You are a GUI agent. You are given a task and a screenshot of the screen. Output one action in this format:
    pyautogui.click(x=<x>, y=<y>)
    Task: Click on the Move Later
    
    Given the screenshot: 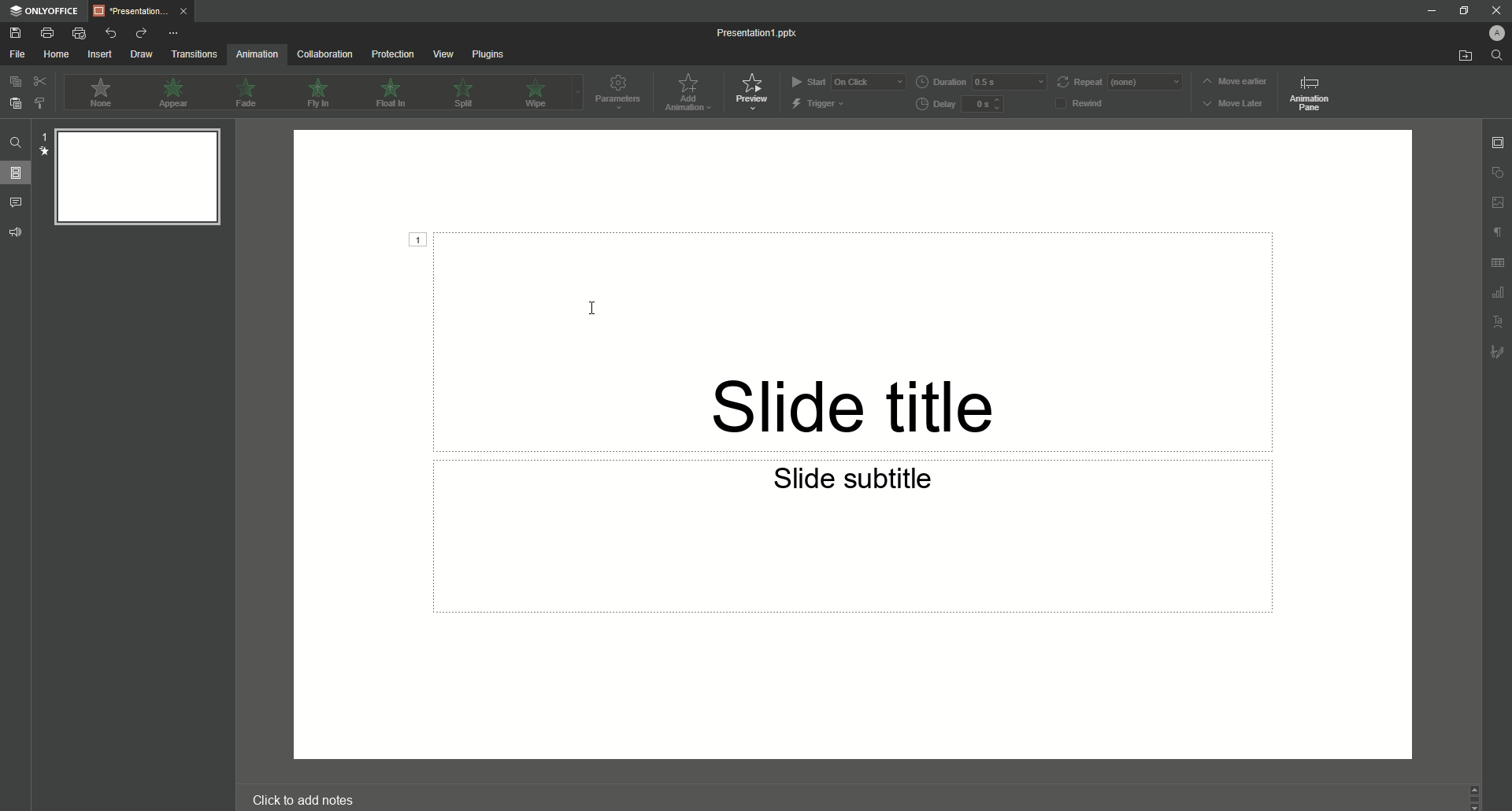 What is the action you would take?
    pyautogui.click(x=1236, y=103)
    